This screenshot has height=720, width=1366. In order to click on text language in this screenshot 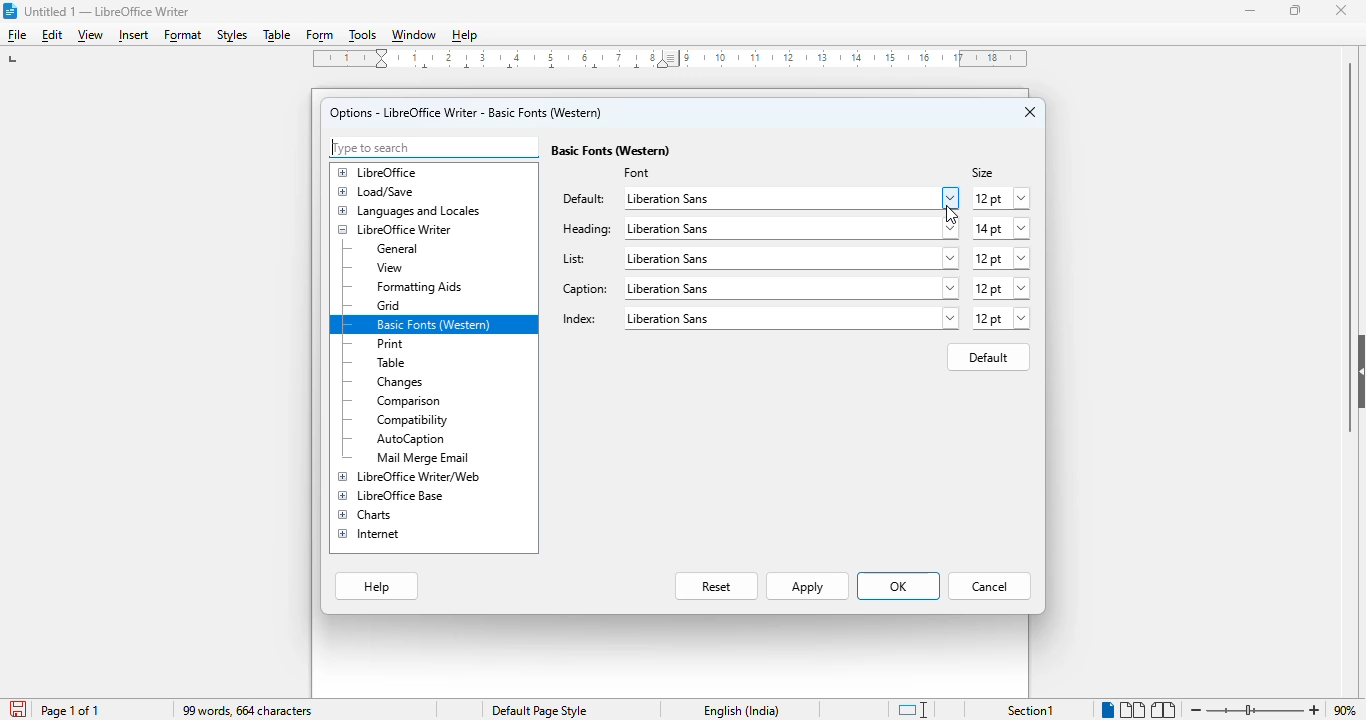, I will do `click(743, 710)`.